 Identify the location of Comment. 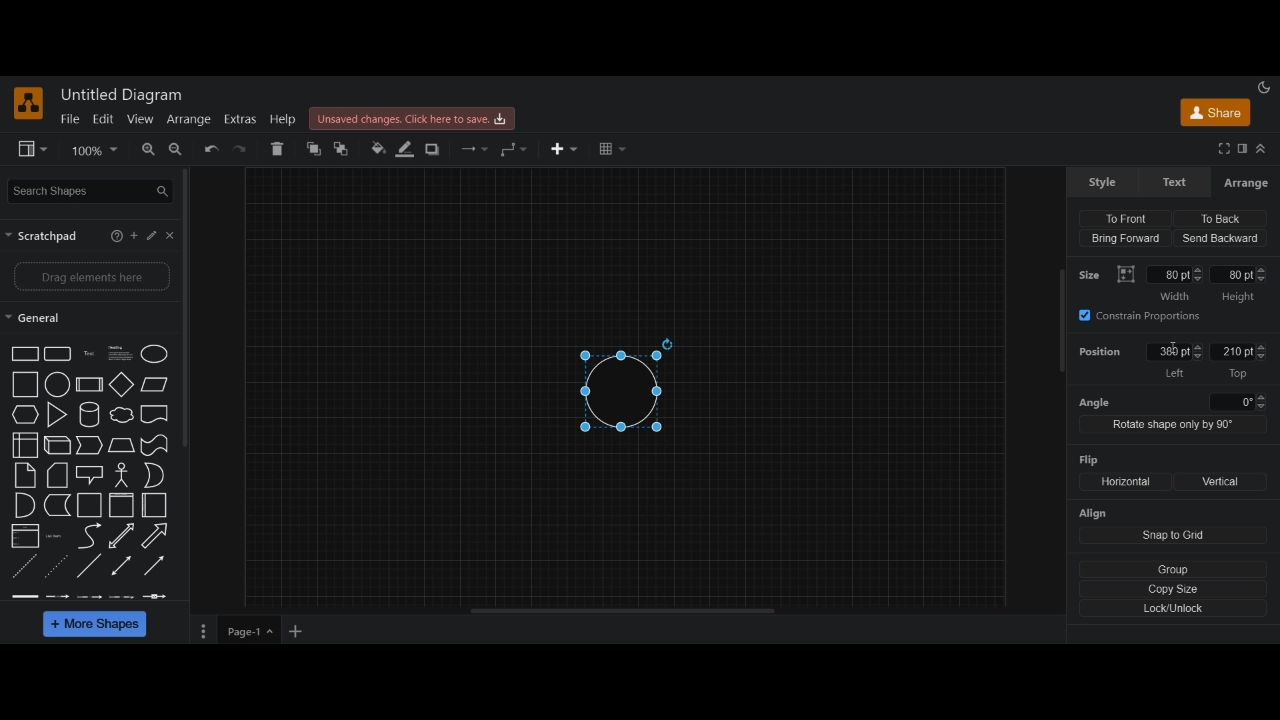
(90, 475).